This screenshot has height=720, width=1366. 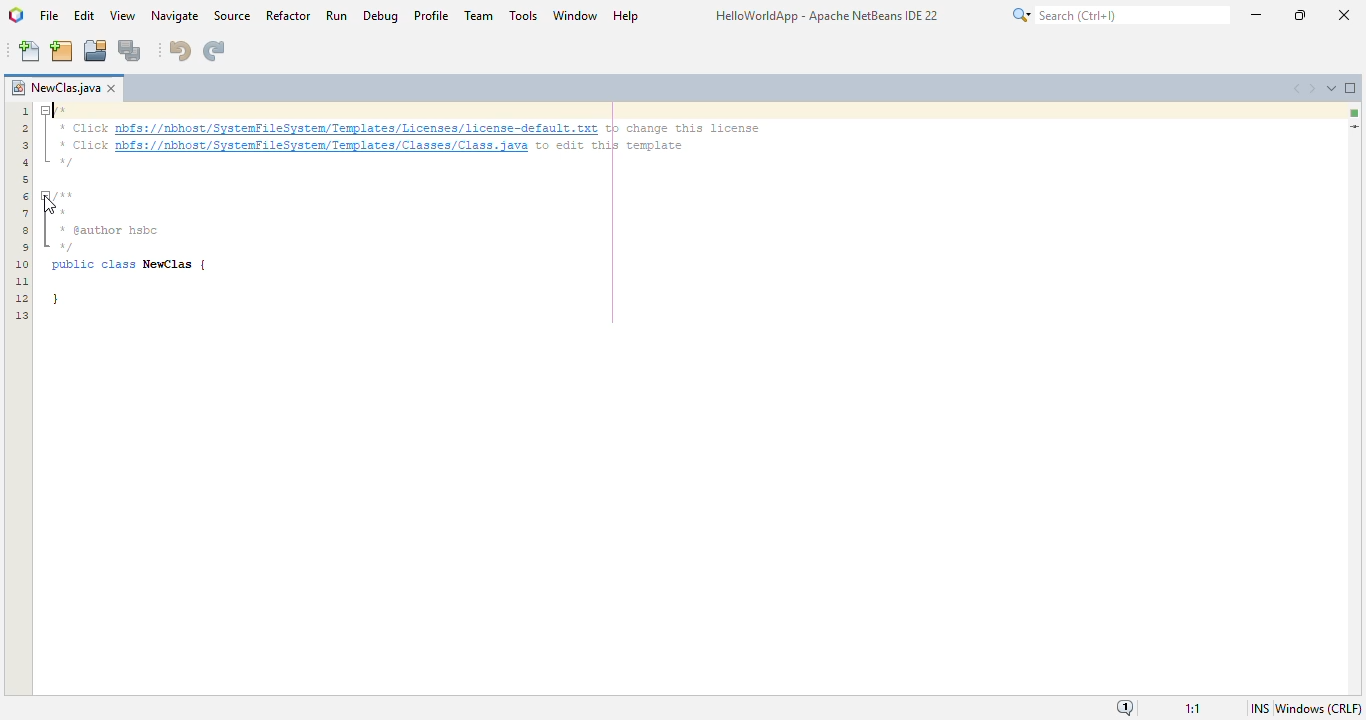 I want to click on window, so click(x=576, y=14).